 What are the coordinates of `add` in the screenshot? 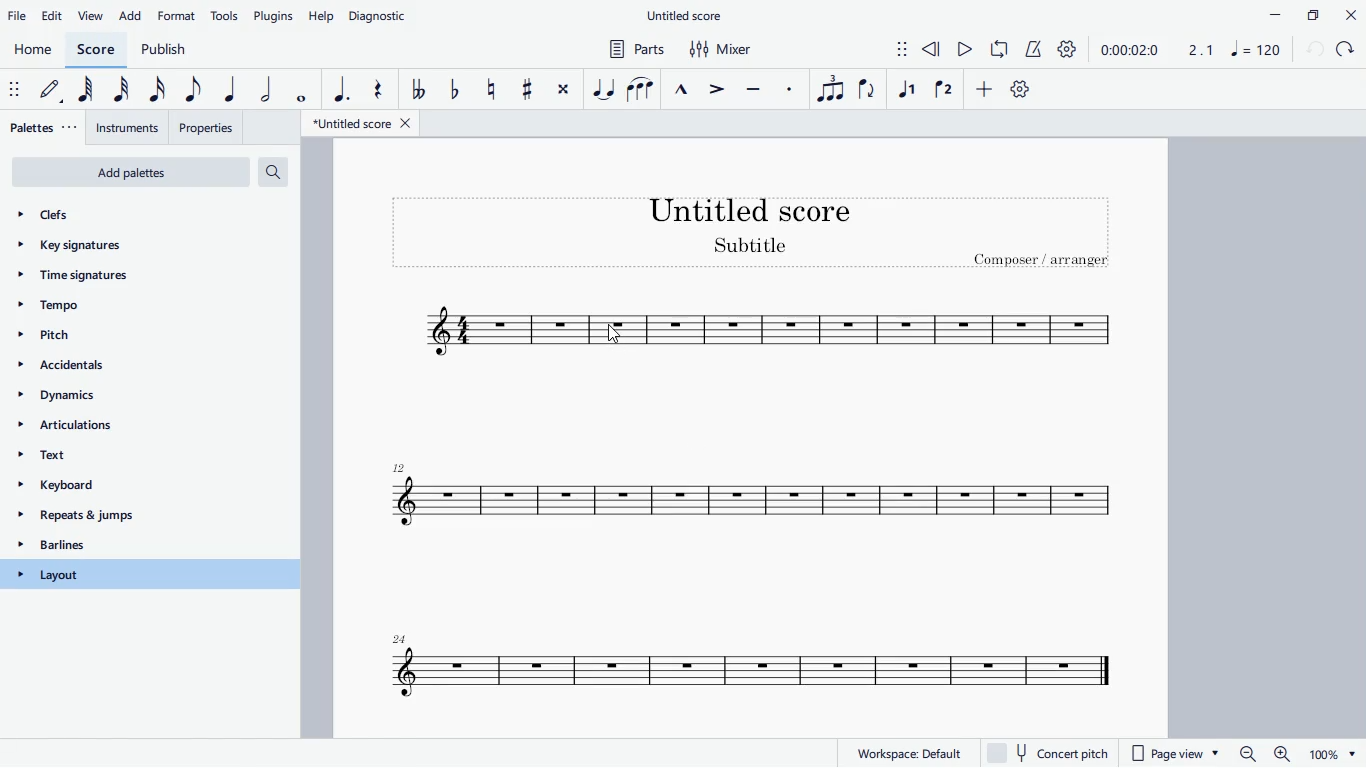 It's located at (130, 15).